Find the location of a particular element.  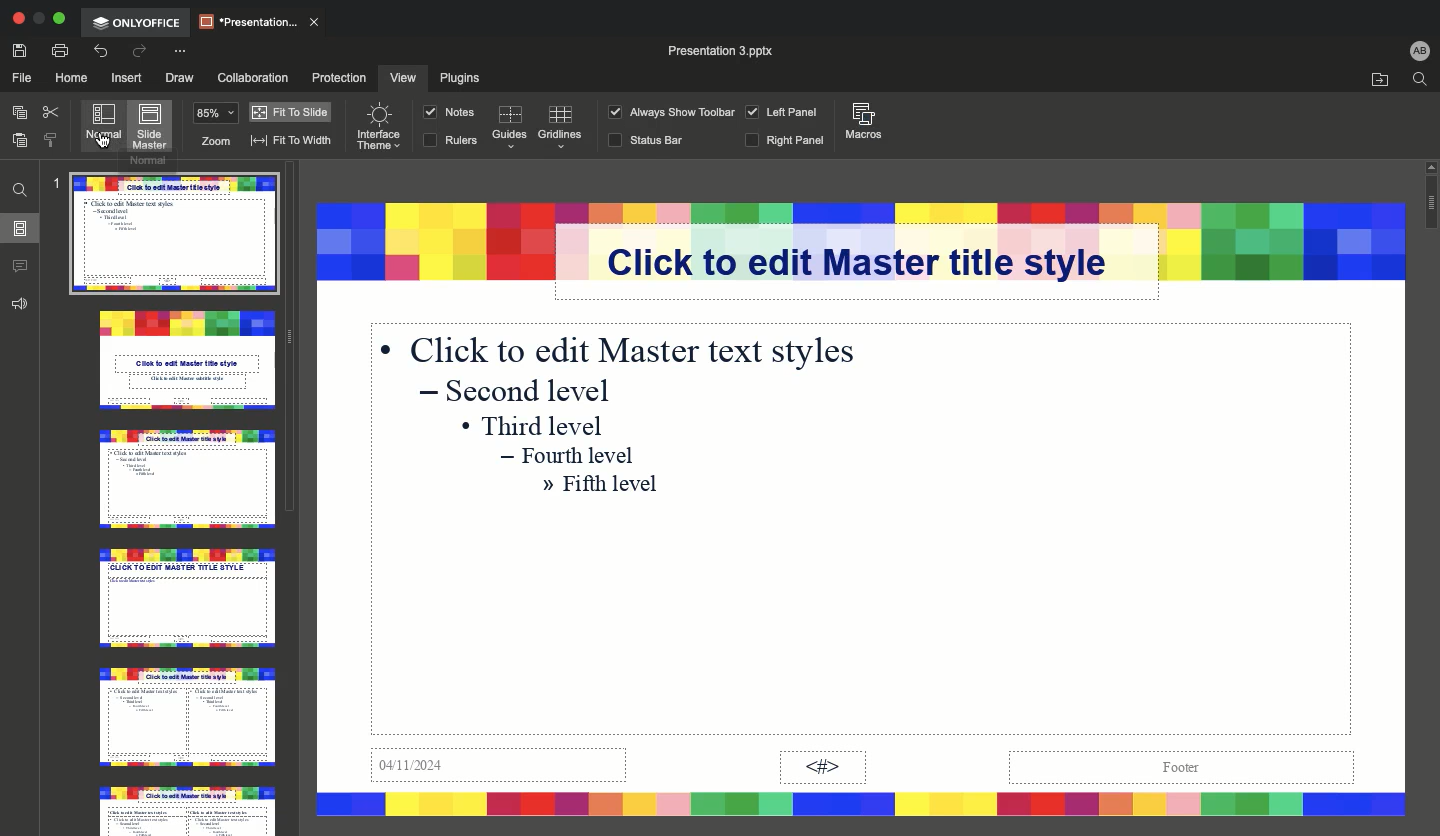

Layout master slide 4 with new layout is located at coordinates (187, 597).